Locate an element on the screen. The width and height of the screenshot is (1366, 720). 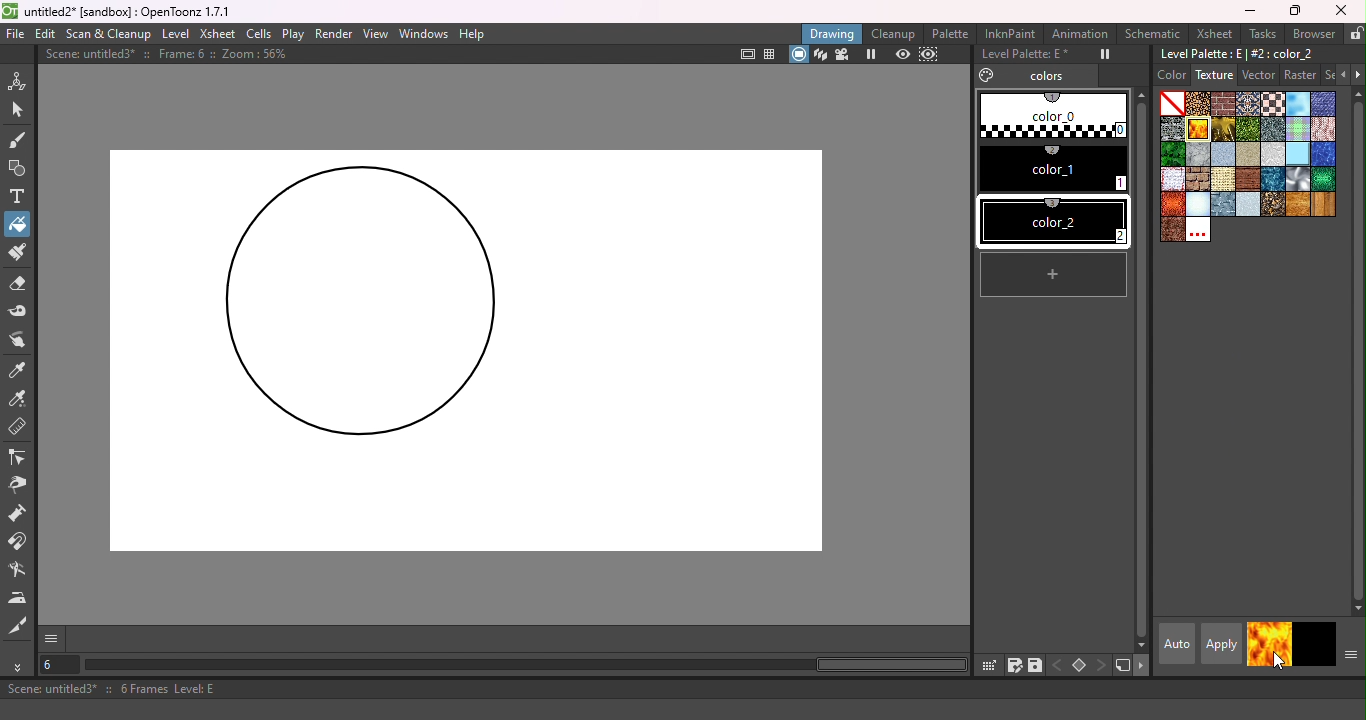
snakeskin.bmp is located at coordinates (1323, 179).